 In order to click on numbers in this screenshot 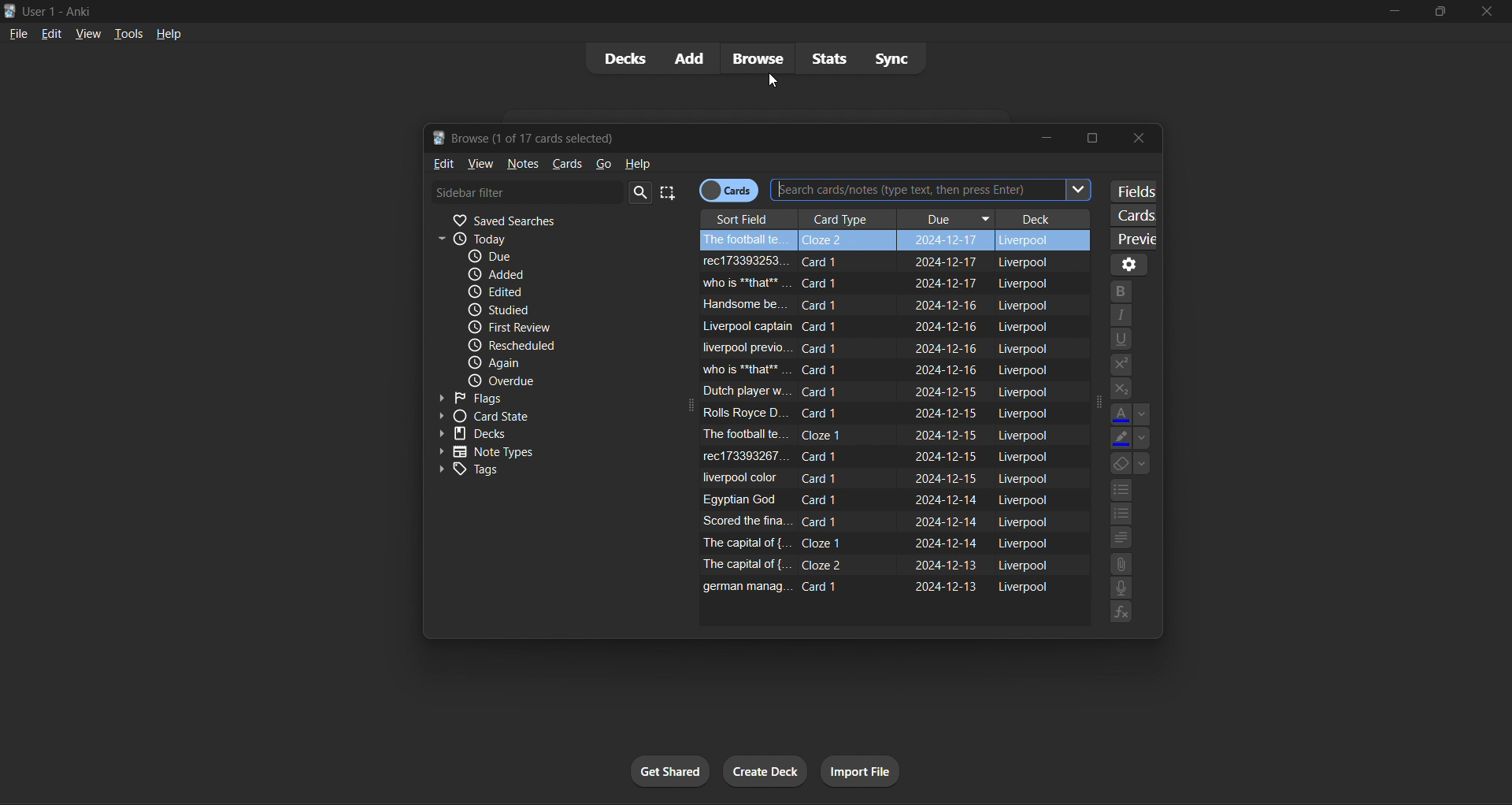, I will do `click(1122, 514)`.